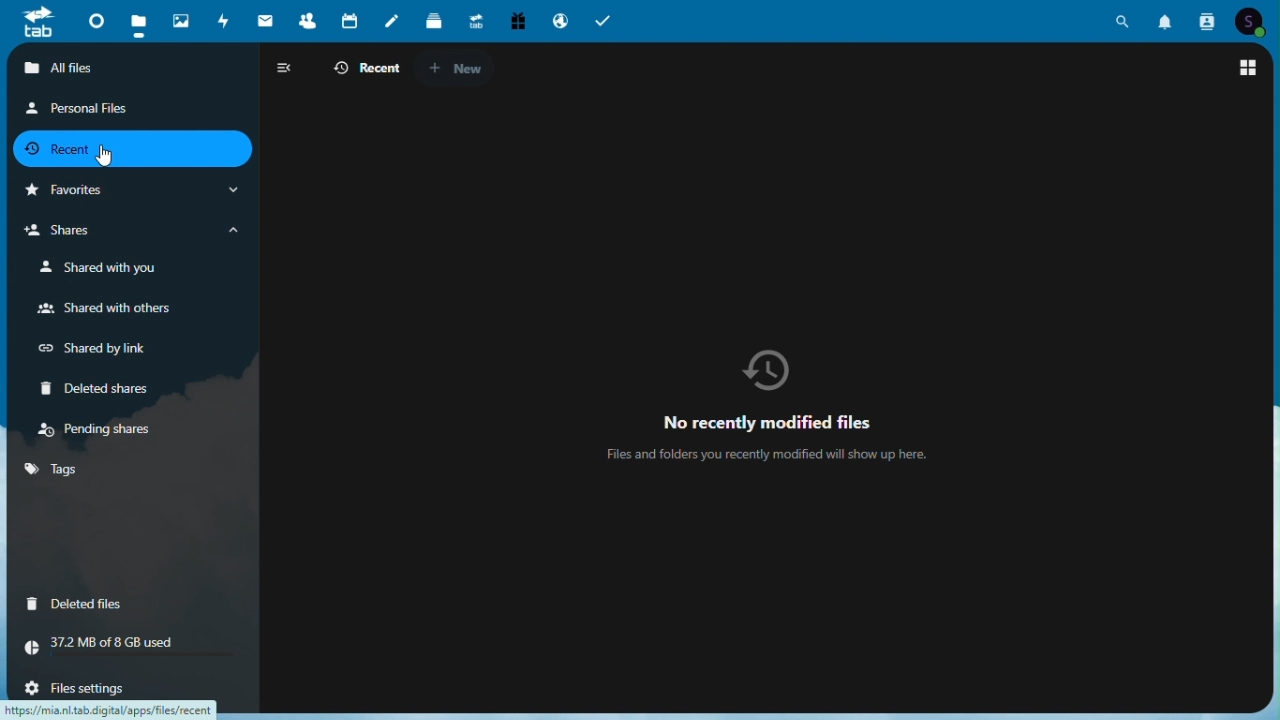 This screenshot has width=1280, height=720. I want to click on deck, so click(435, 22).